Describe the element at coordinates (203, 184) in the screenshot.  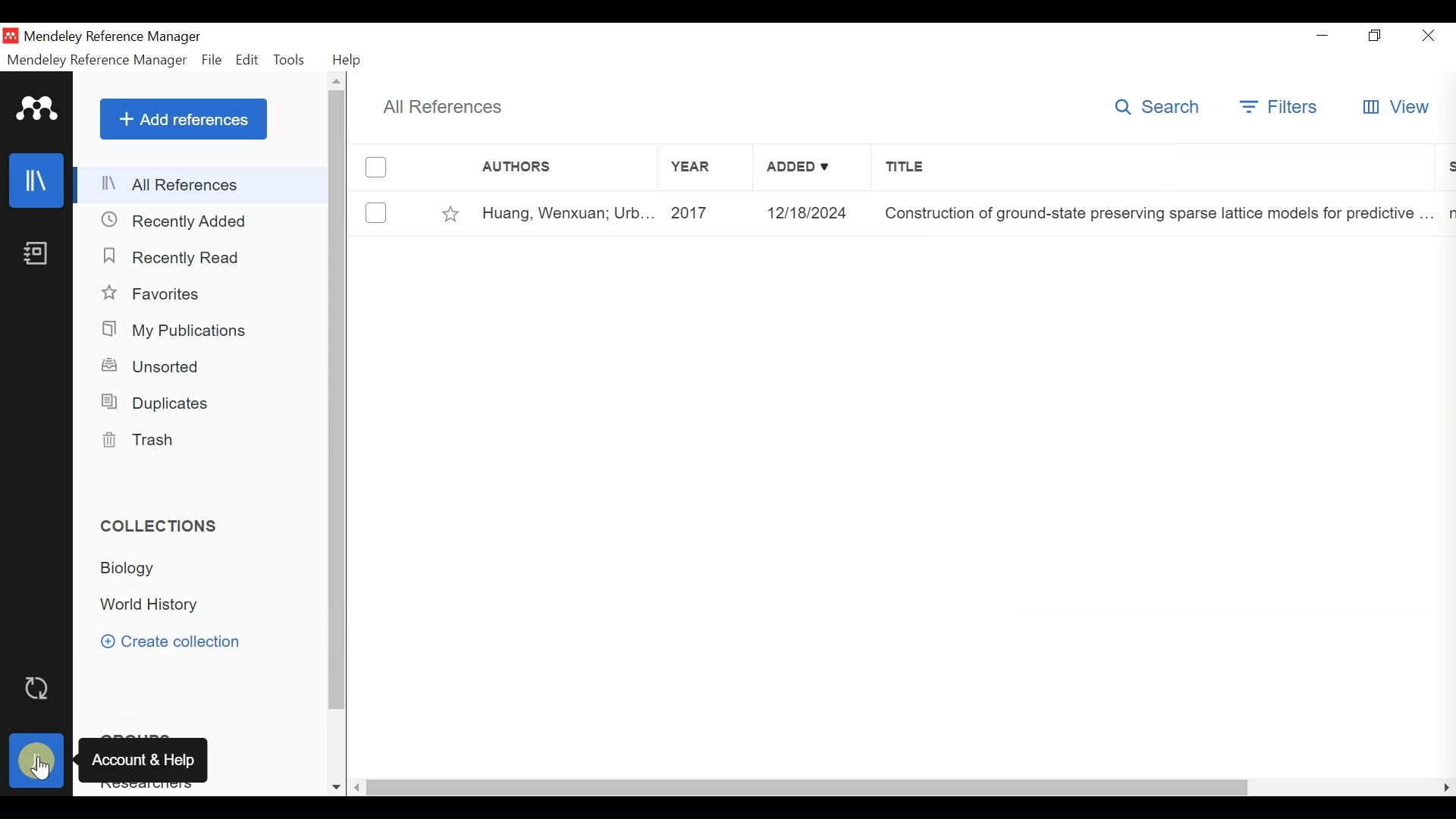
I see `All References` at that location.